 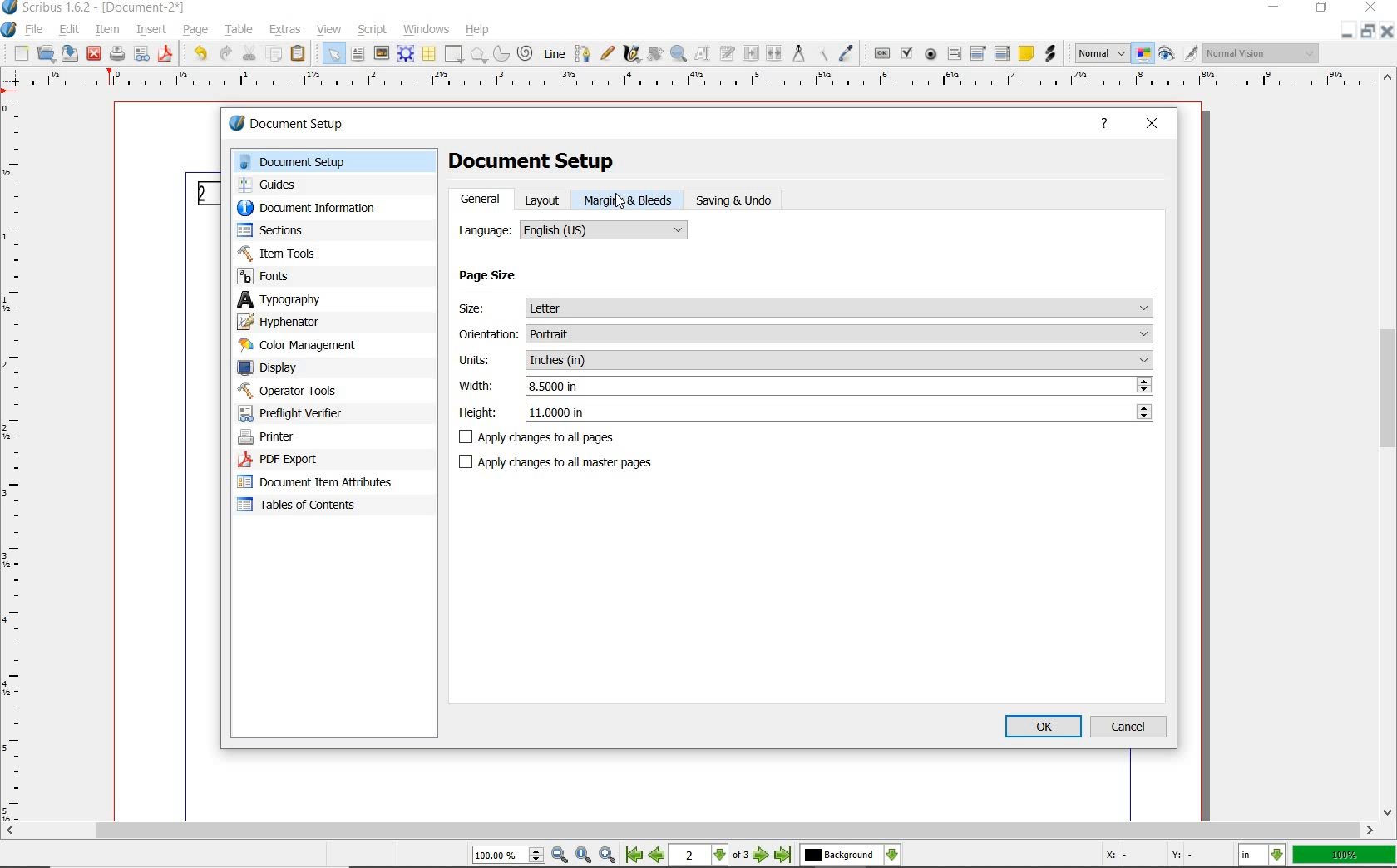 I want to click on page size, so click(x=496, y=277).